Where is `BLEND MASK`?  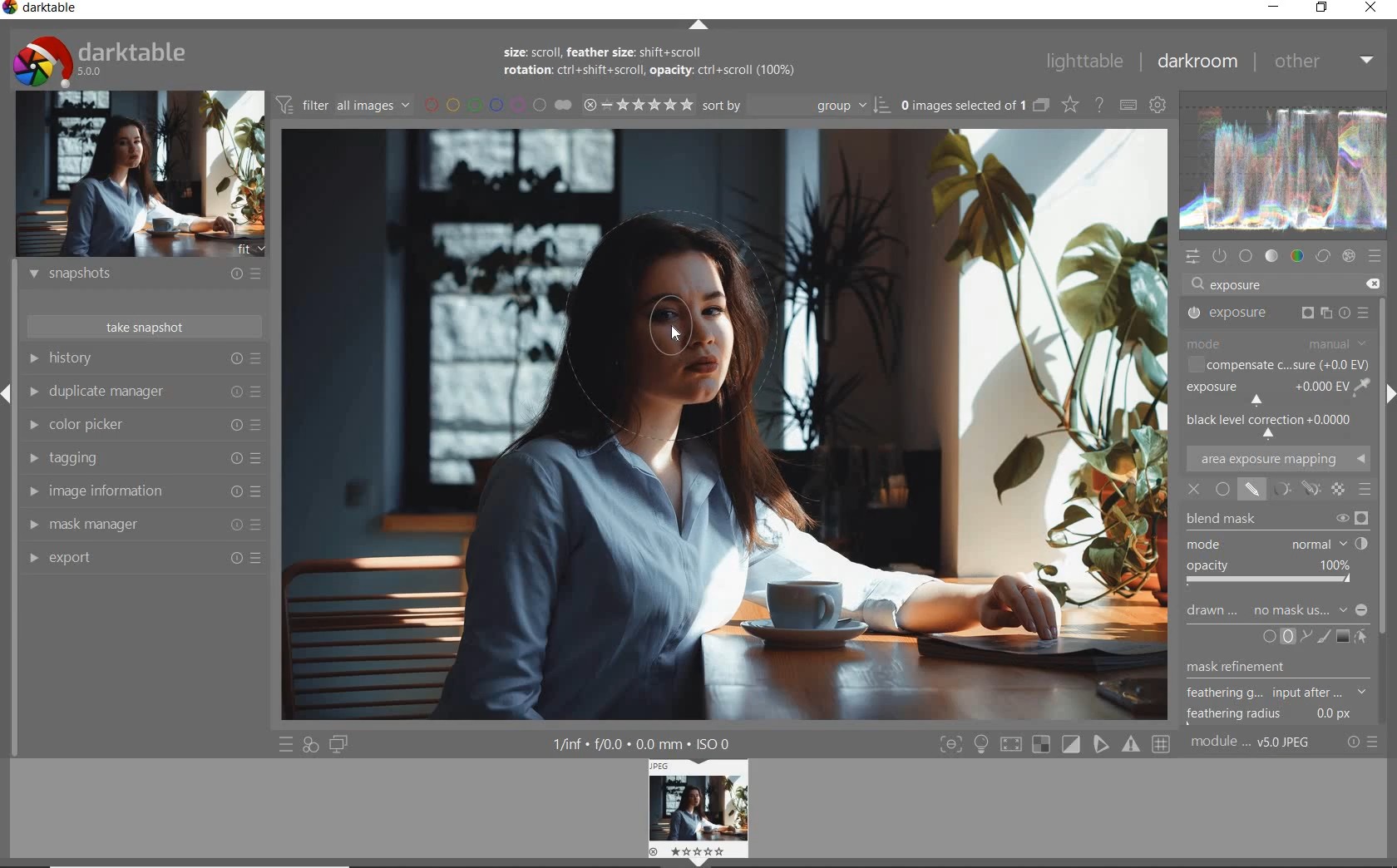 BLEND MASK is located at coordinates (1276, 520).